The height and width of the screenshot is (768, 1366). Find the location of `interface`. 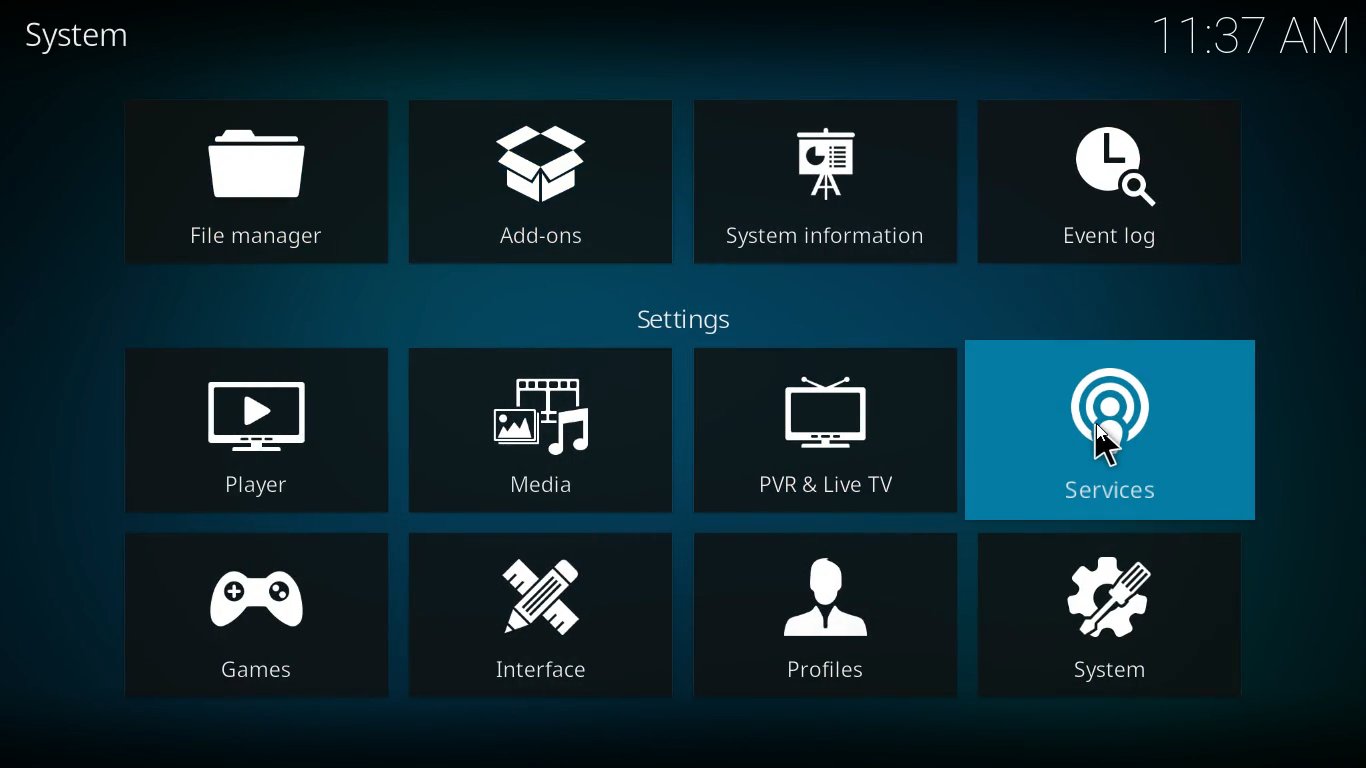

interface is located at coordinates (543, 618).